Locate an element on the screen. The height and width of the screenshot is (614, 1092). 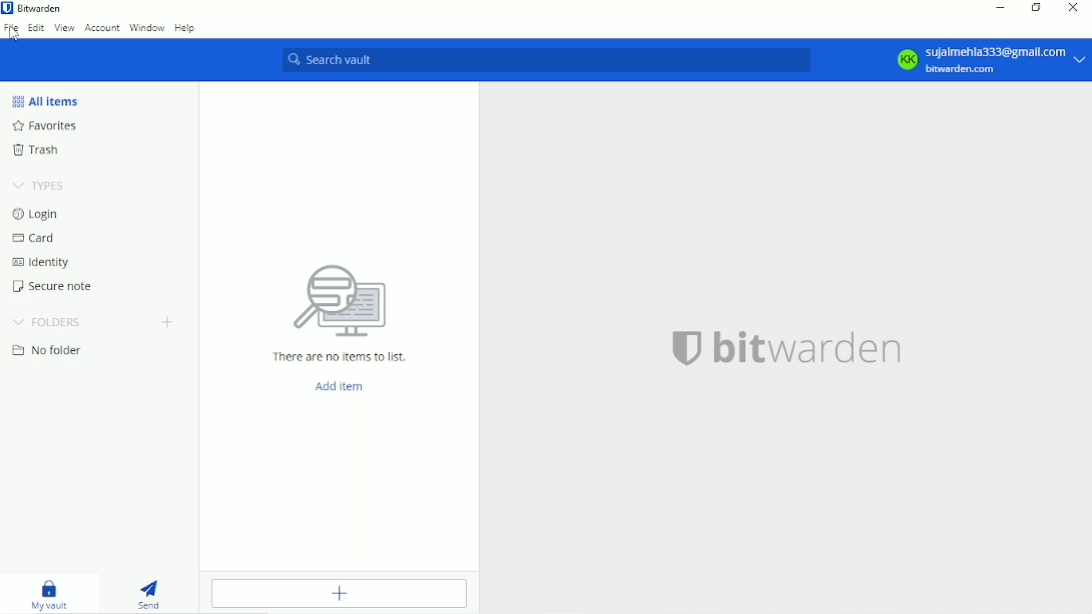
Cursor is located at coordinates (12, 34).